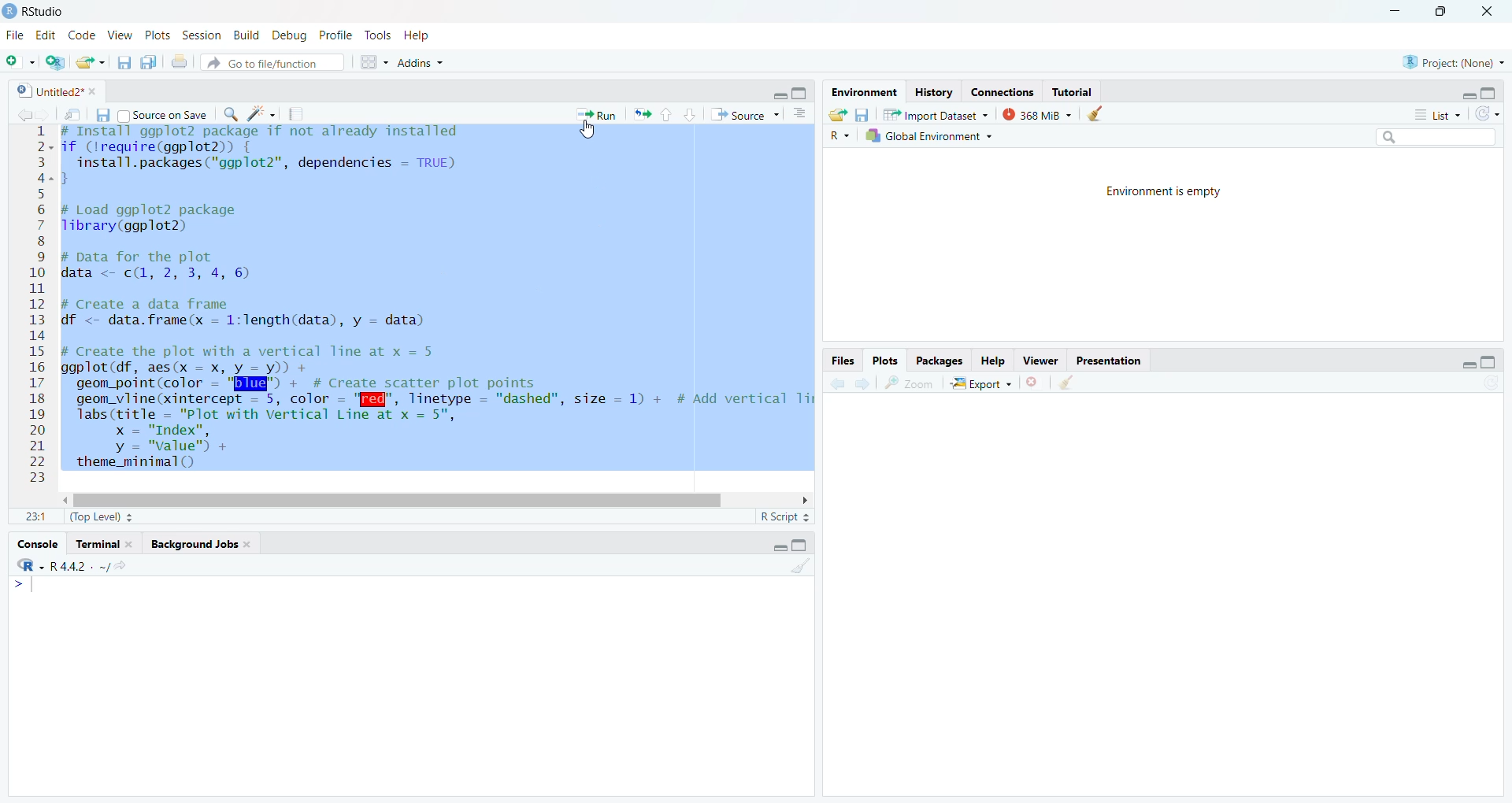 The height and width of the screenshot is (803, 1512). Describe the element at coordinates (38, 12) in the screenshot. I see `RStudio` at that location.